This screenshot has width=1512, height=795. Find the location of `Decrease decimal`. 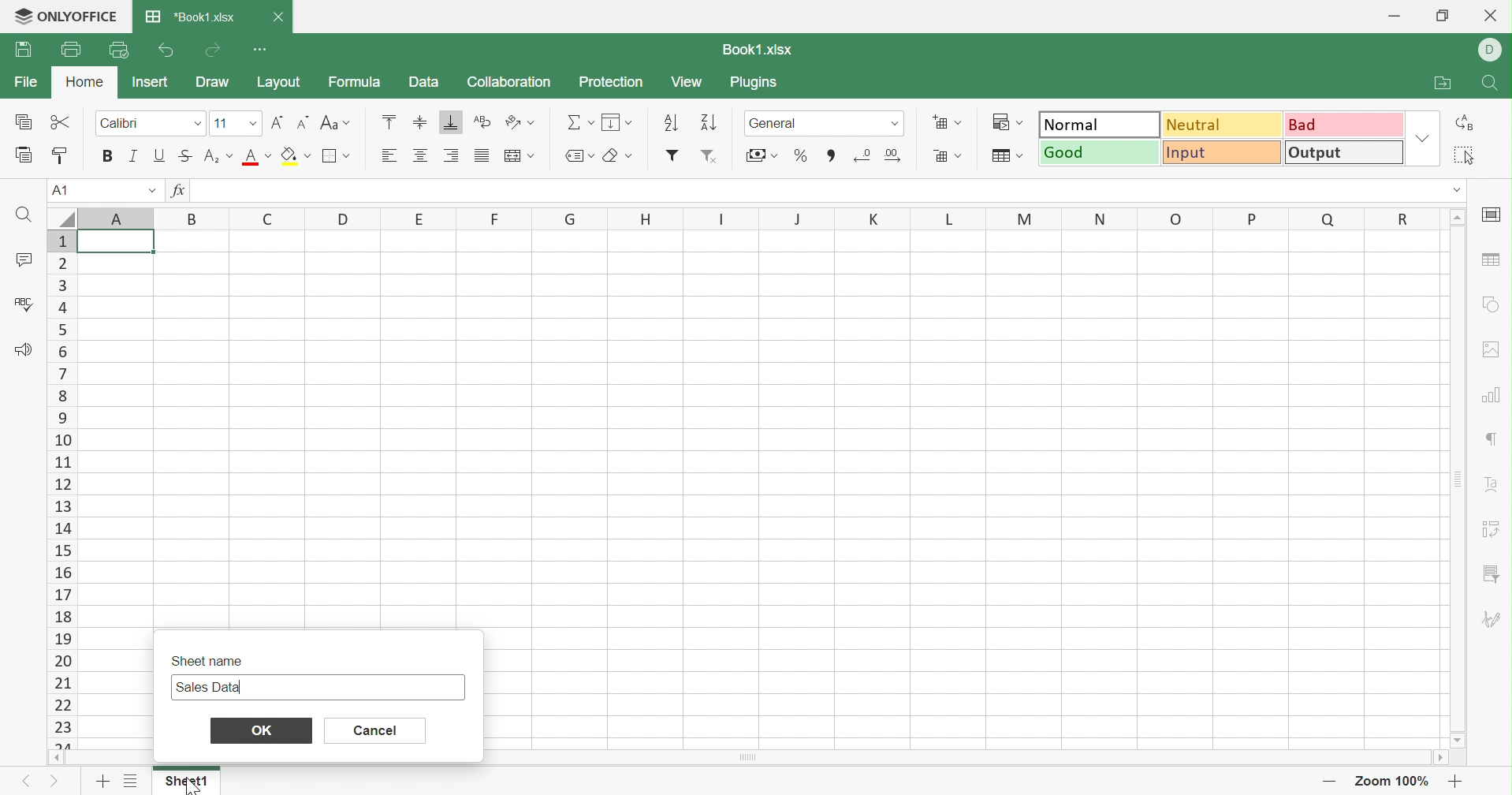

Decrease decimal is located at coordinates (864, 155).